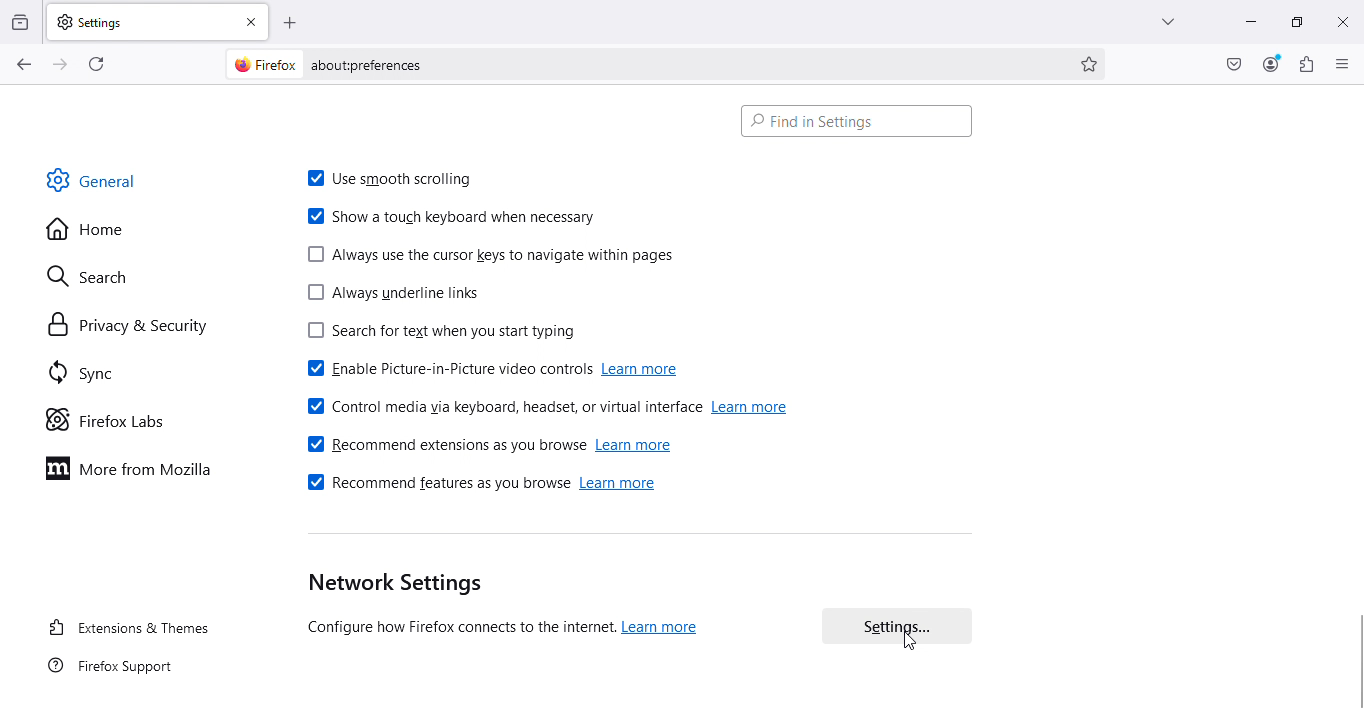 The height and width of the screenshot is (720, 1364). What do you see at coordinates (1248, 21) in the screenshot?
I see `Minimize` at bounding box center [1248, 21].